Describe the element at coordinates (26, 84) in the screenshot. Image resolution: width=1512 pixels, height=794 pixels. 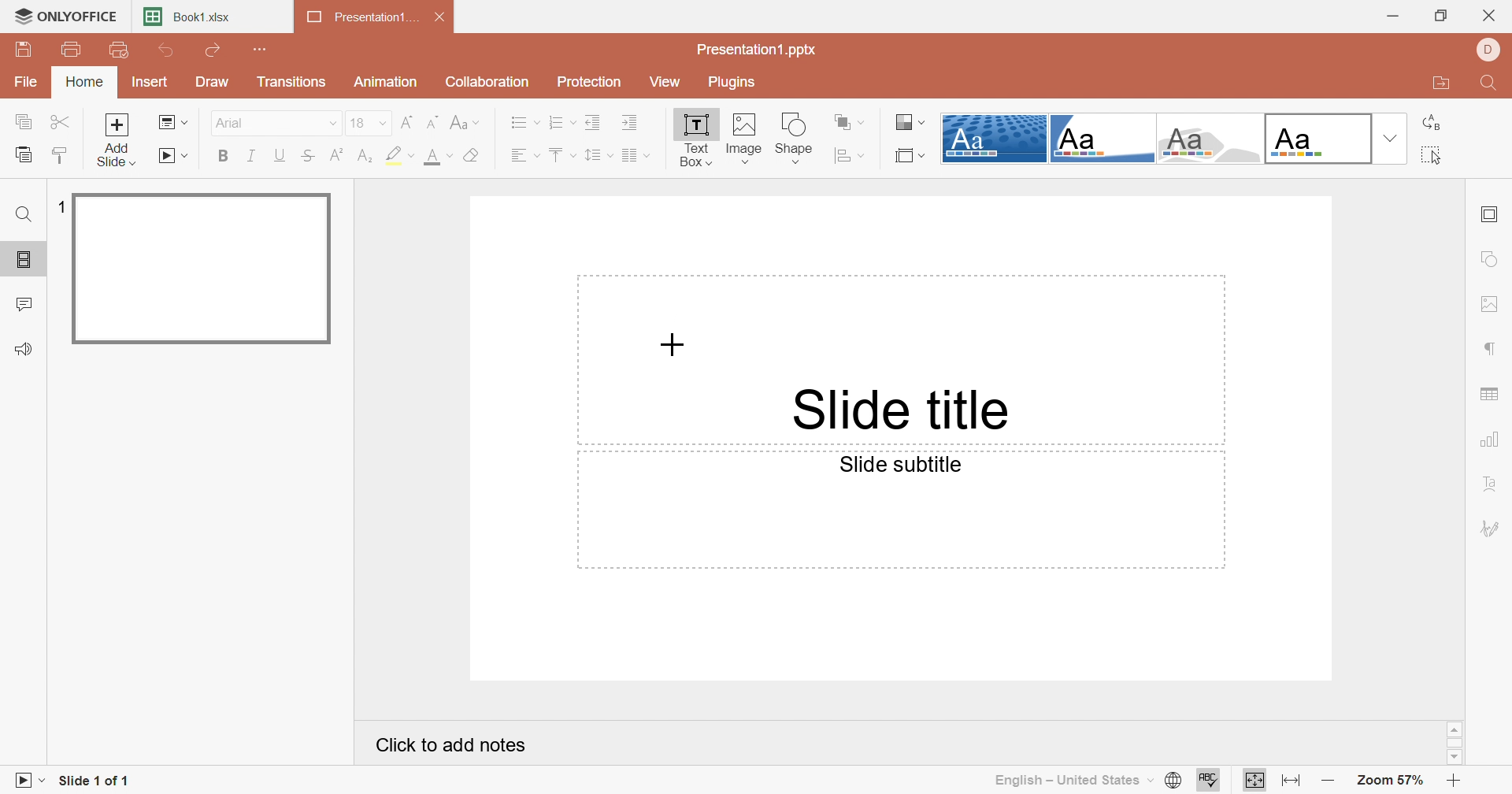
I see `File` at that location.